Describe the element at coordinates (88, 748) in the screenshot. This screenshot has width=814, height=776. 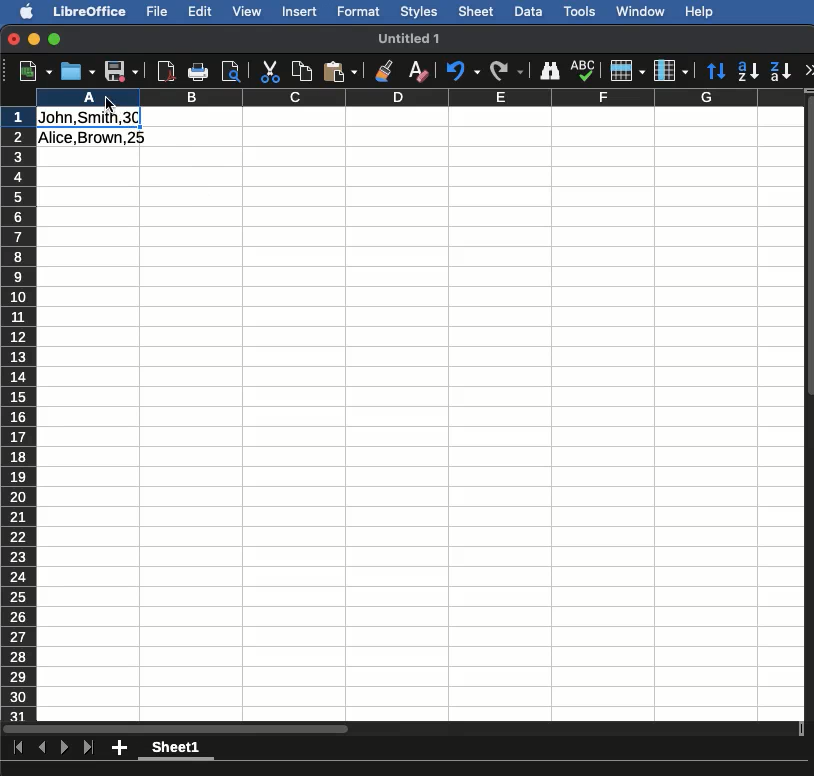
I see `Last sheet` at that location.